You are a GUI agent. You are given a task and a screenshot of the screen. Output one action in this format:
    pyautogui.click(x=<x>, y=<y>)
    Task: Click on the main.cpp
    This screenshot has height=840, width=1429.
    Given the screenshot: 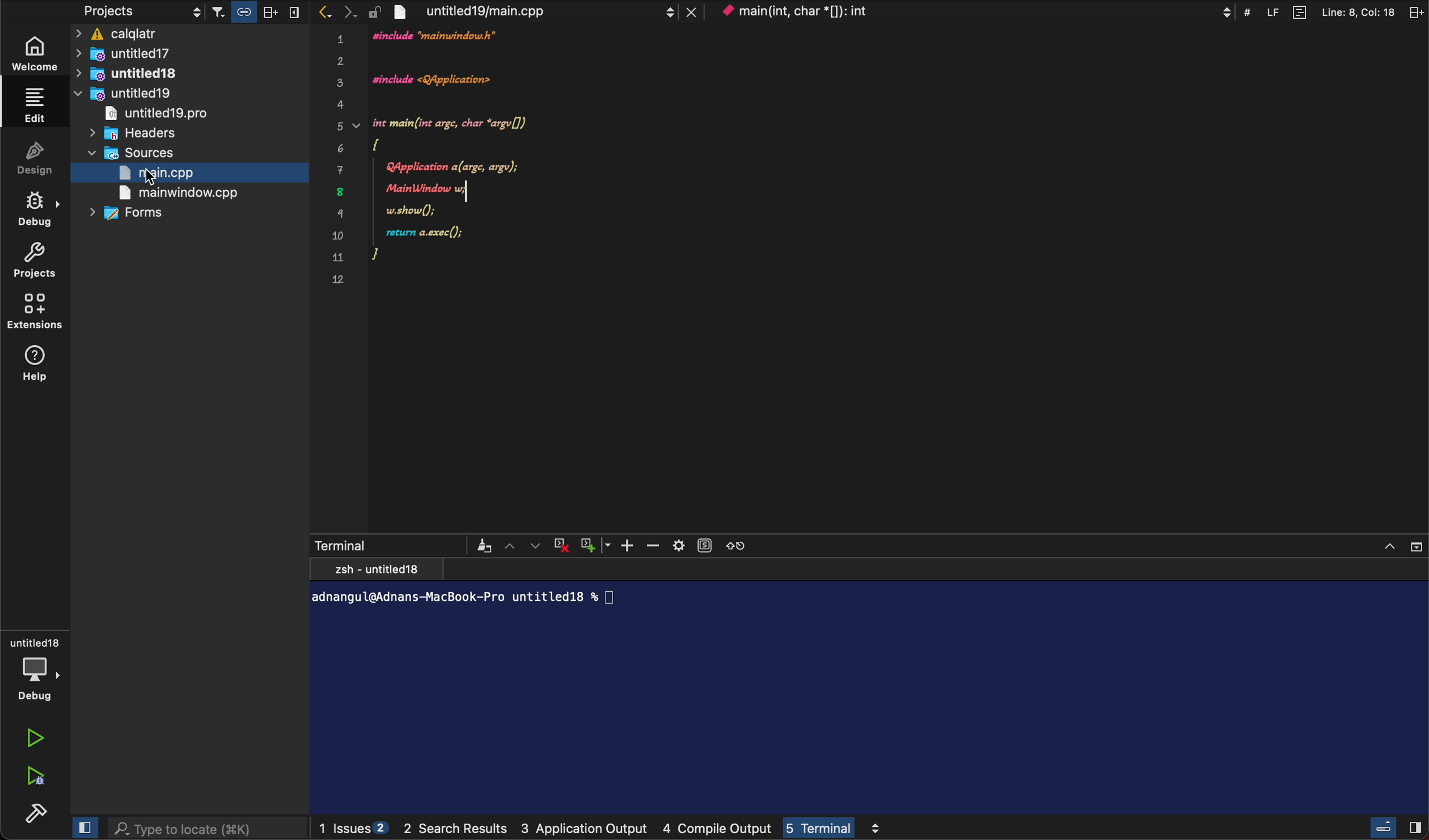 What is the action you would take?
    pyautogui.click(x=179, y=173)
    